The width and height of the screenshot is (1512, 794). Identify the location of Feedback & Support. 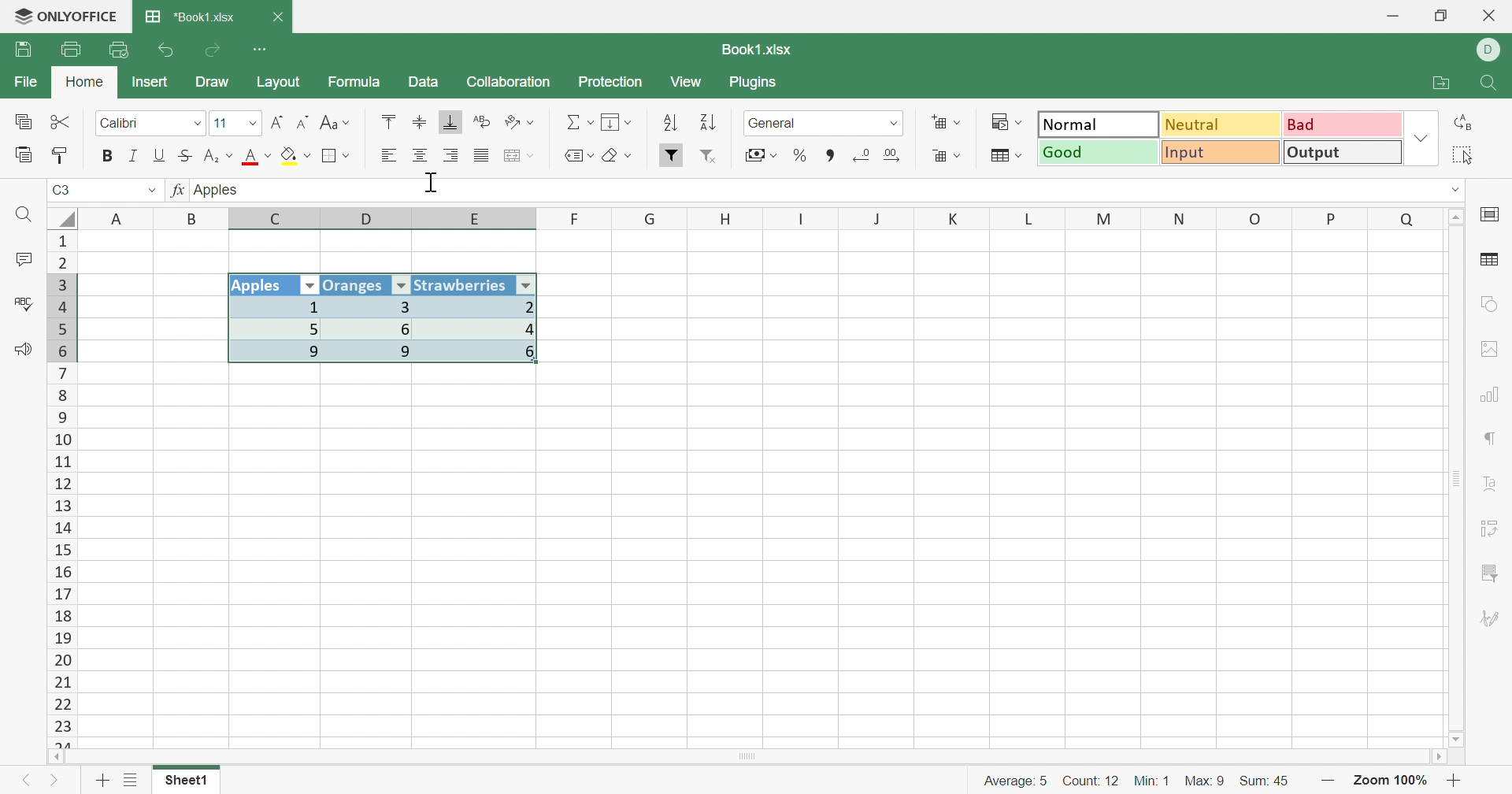
(25, 351).